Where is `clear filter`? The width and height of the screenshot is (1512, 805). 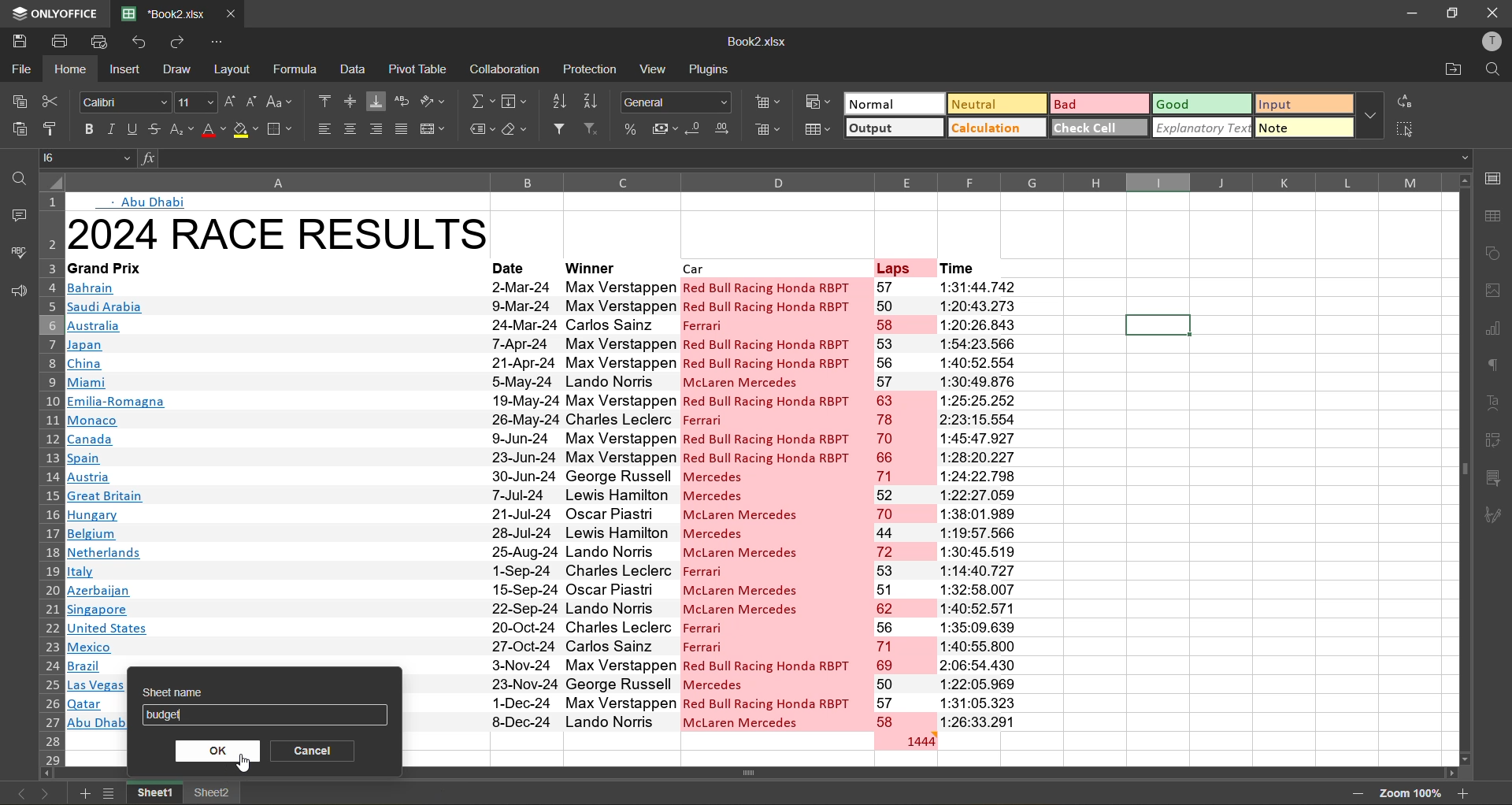
clear filter is located at coordinates (592, 130).